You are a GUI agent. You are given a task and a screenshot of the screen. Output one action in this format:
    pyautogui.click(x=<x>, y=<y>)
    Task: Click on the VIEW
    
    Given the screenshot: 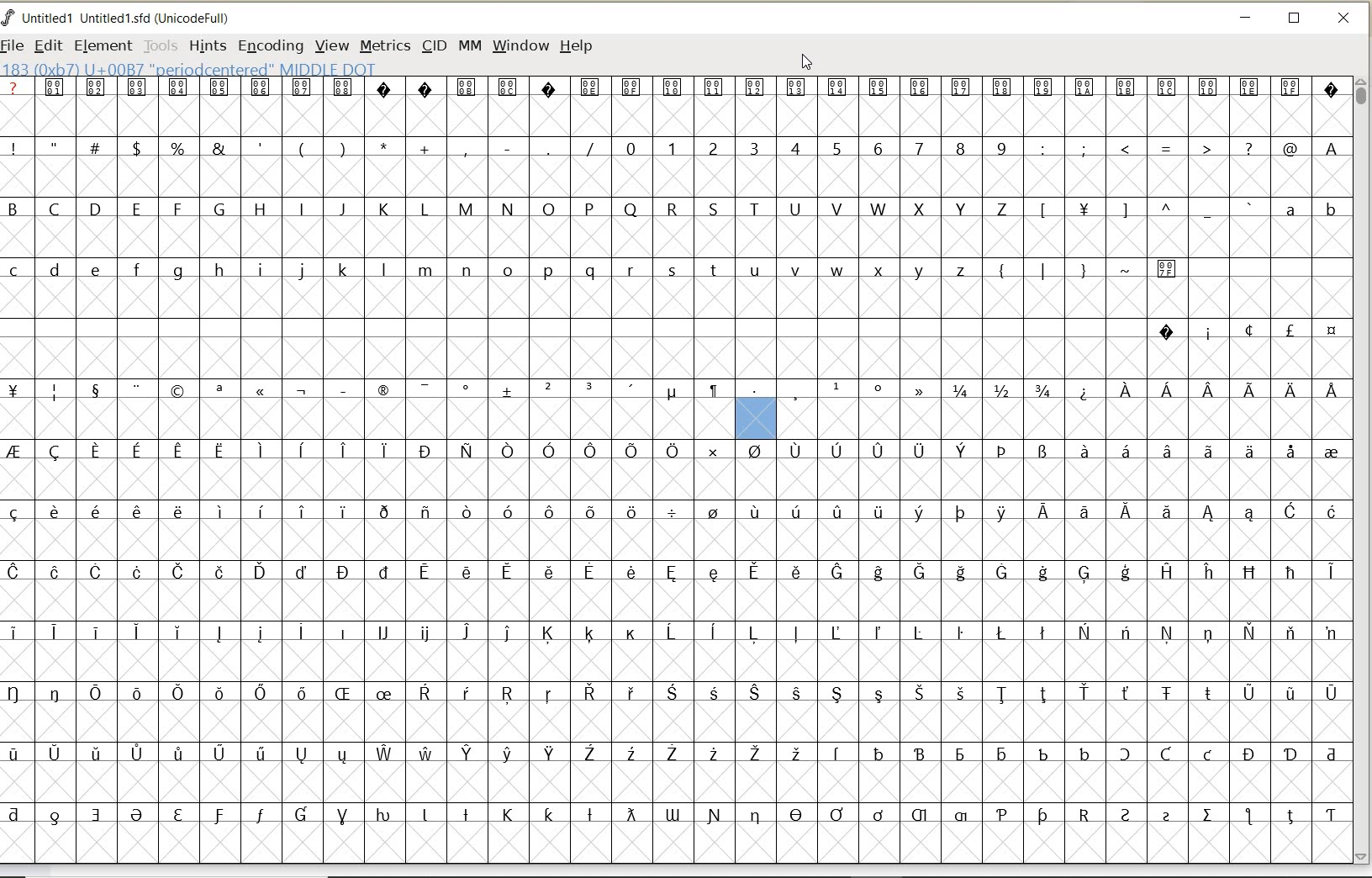 What is the action you would take?
    pyautogui.click(x=332, y=46)
    